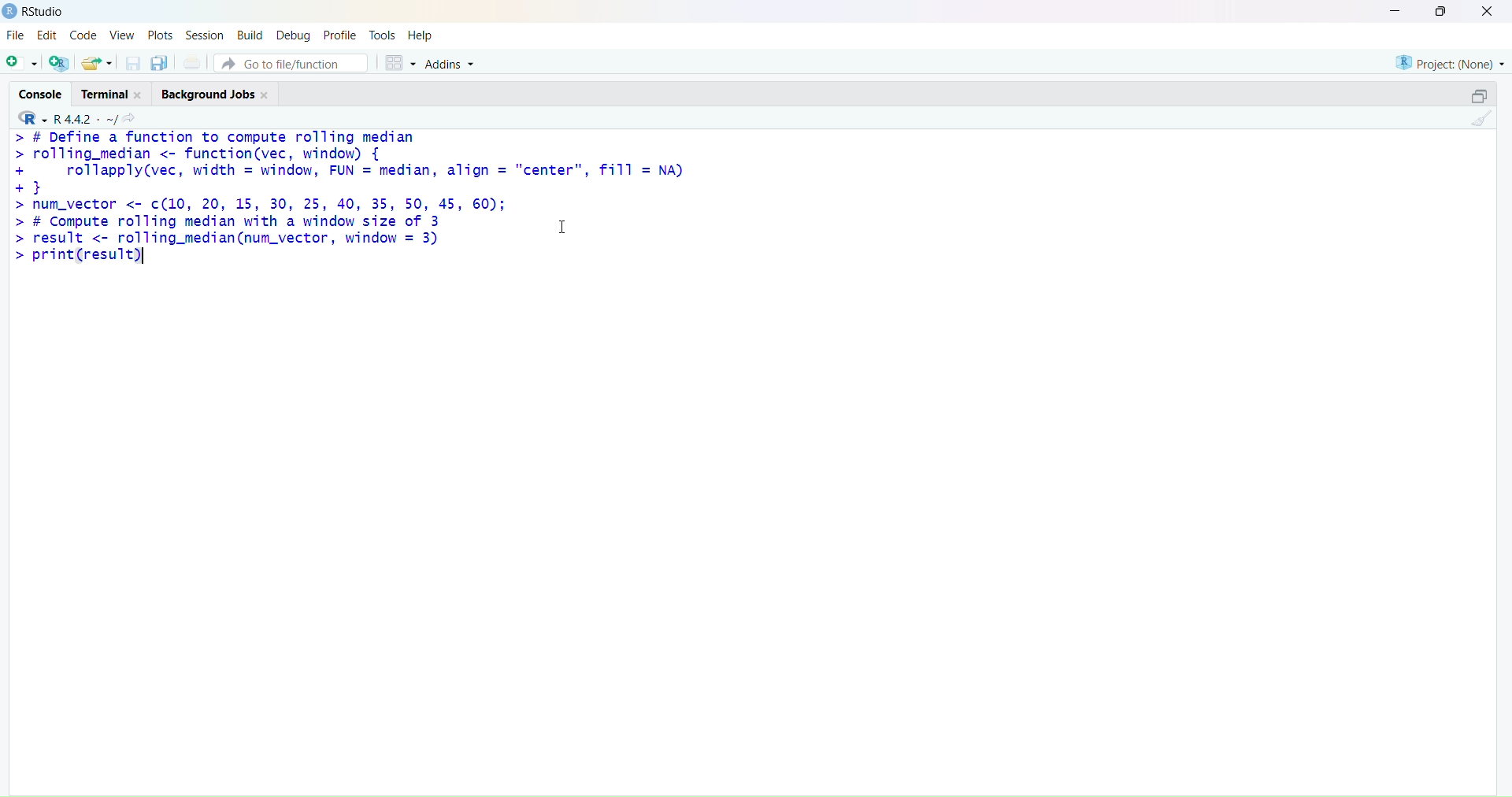 The image size is (1512, 797). I want to click on help, so click(422, 36).